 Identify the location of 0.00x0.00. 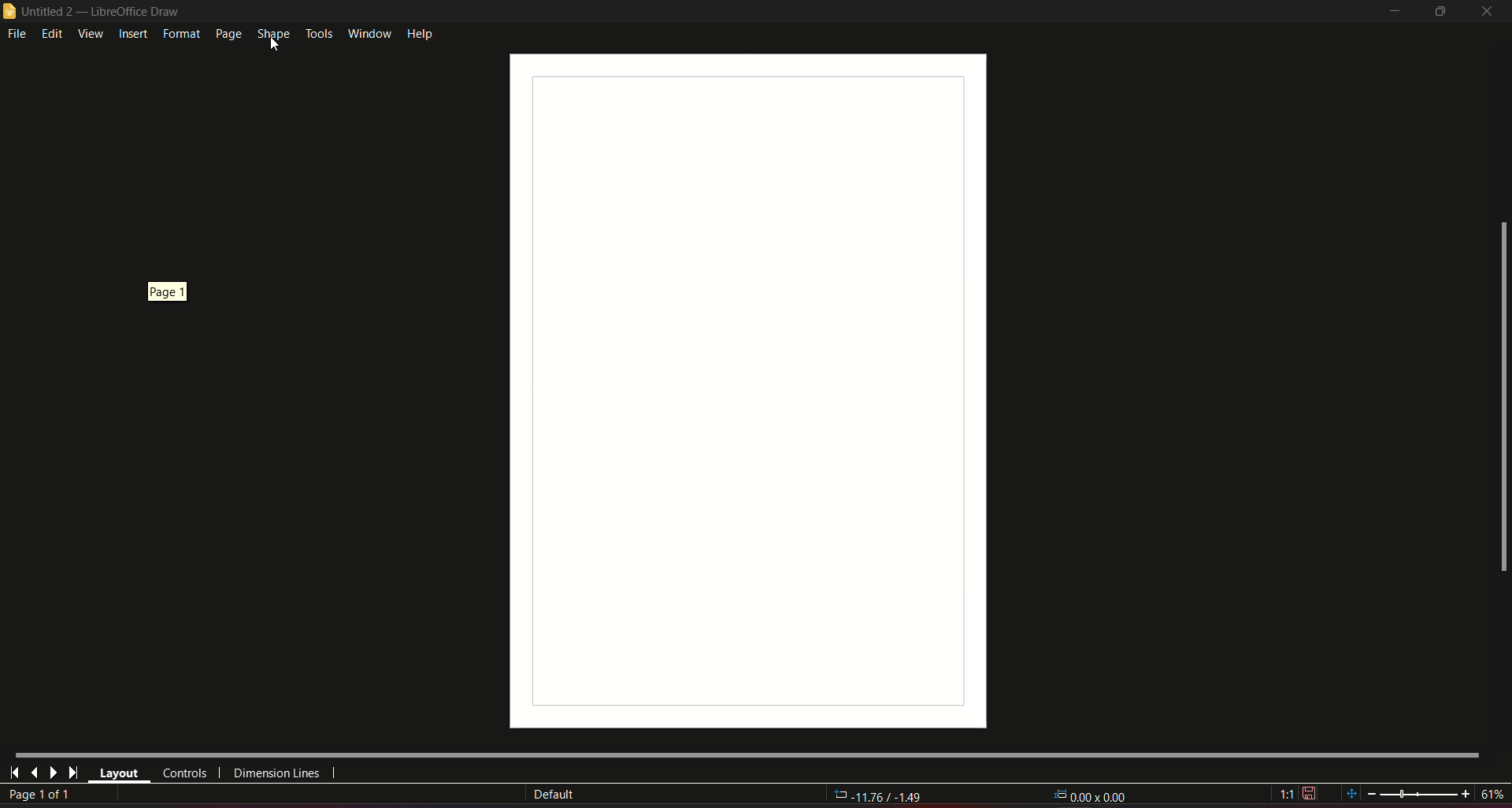
(1091, 794).